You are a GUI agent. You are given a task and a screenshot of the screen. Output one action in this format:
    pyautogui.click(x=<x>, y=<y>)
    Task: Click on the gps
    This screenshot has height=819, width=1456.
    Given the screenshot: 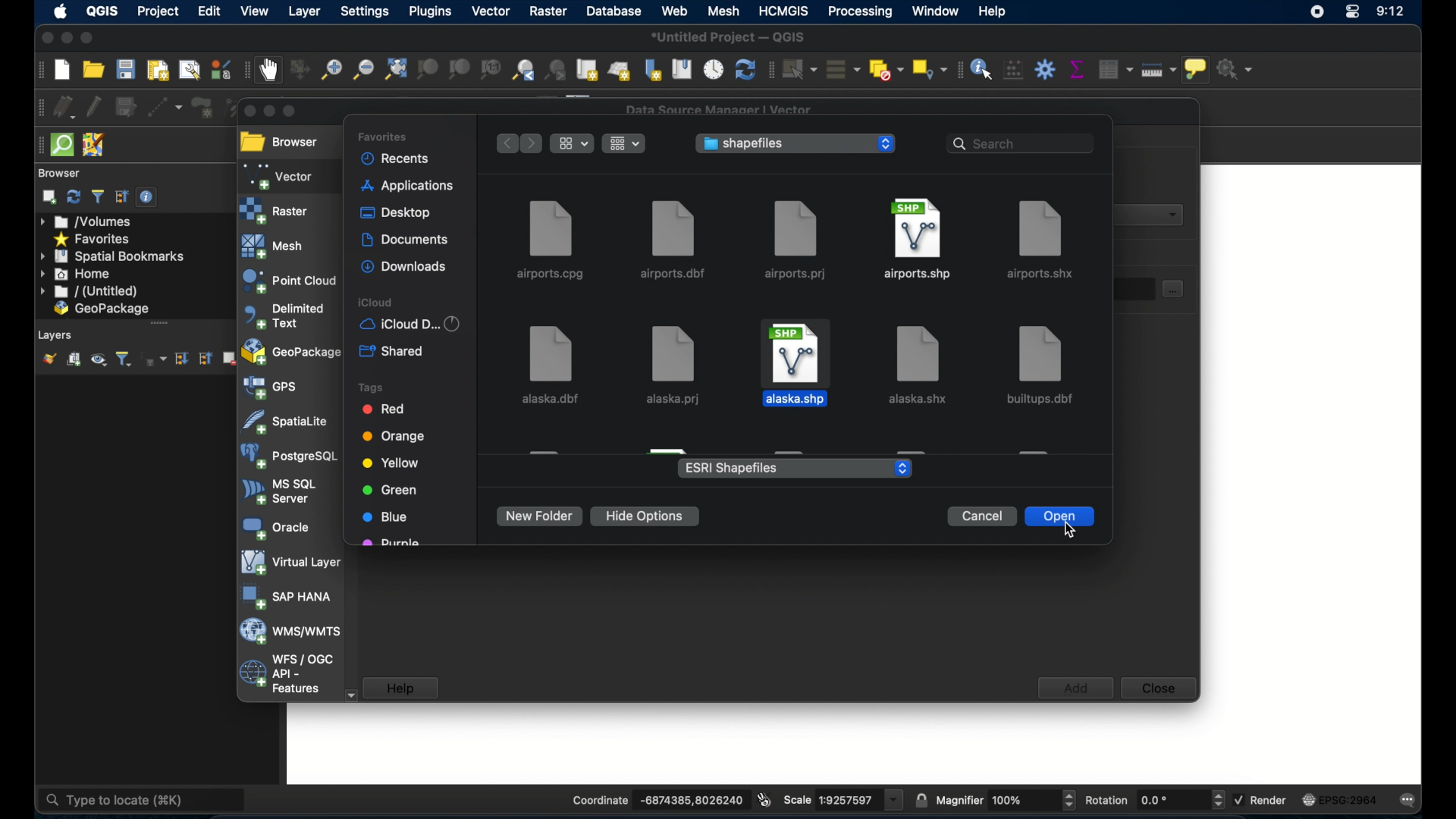 What is the action you would take?
    pyautogui.click(x=271, y=388)
    